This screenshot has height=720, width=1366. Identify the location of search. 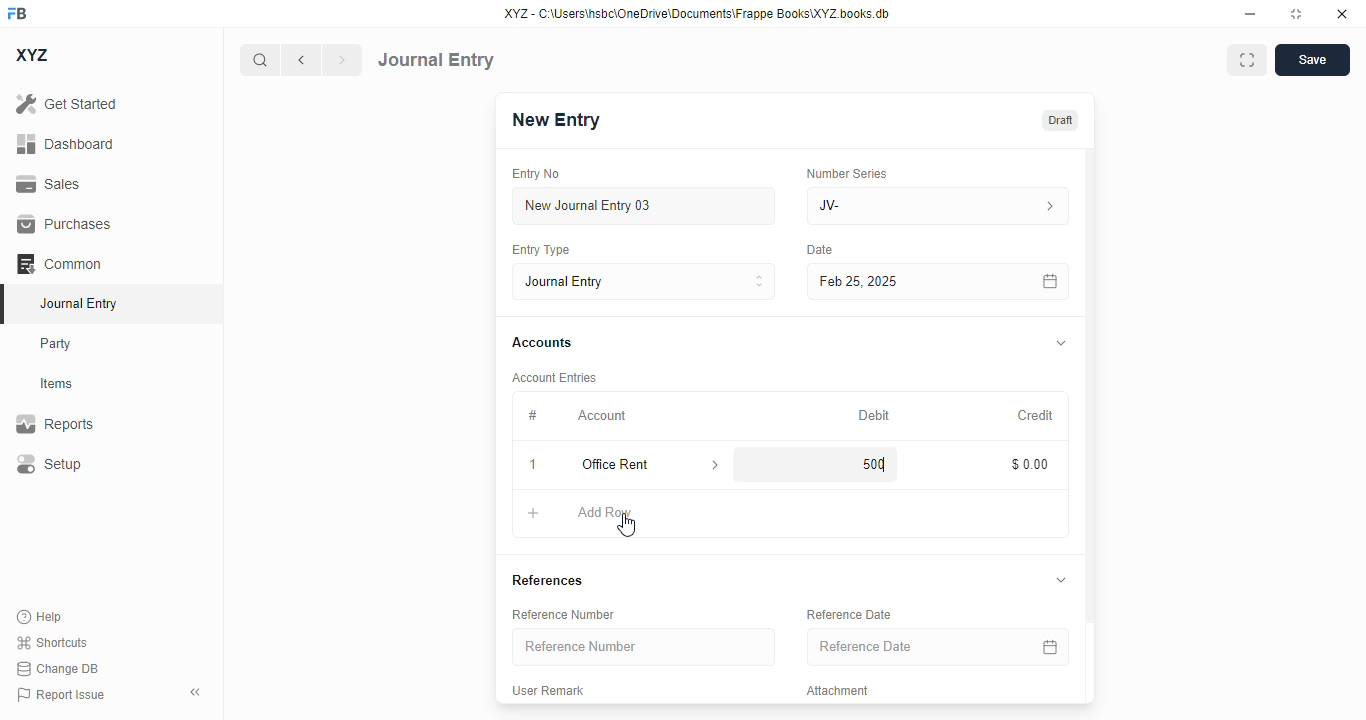
(259, 60).